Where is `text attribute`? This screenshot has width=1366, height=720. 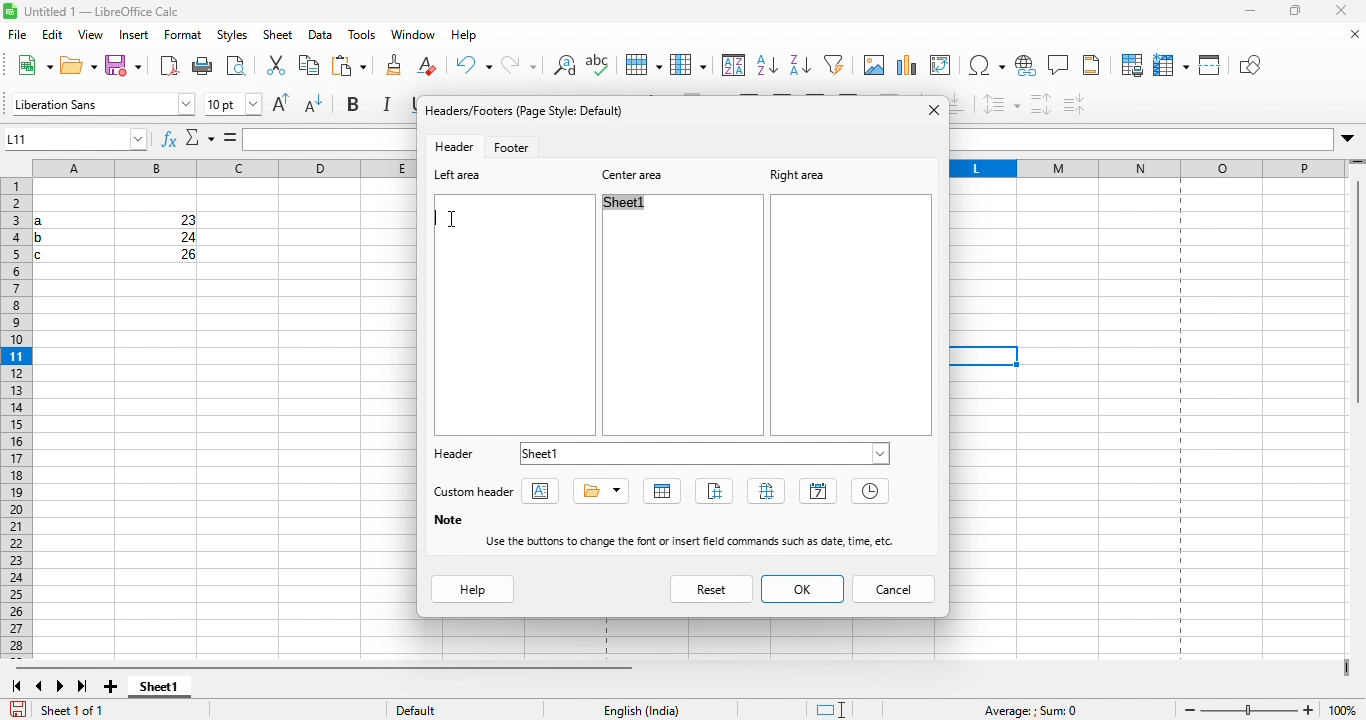 text attribute is located at coordinates (547, 494).